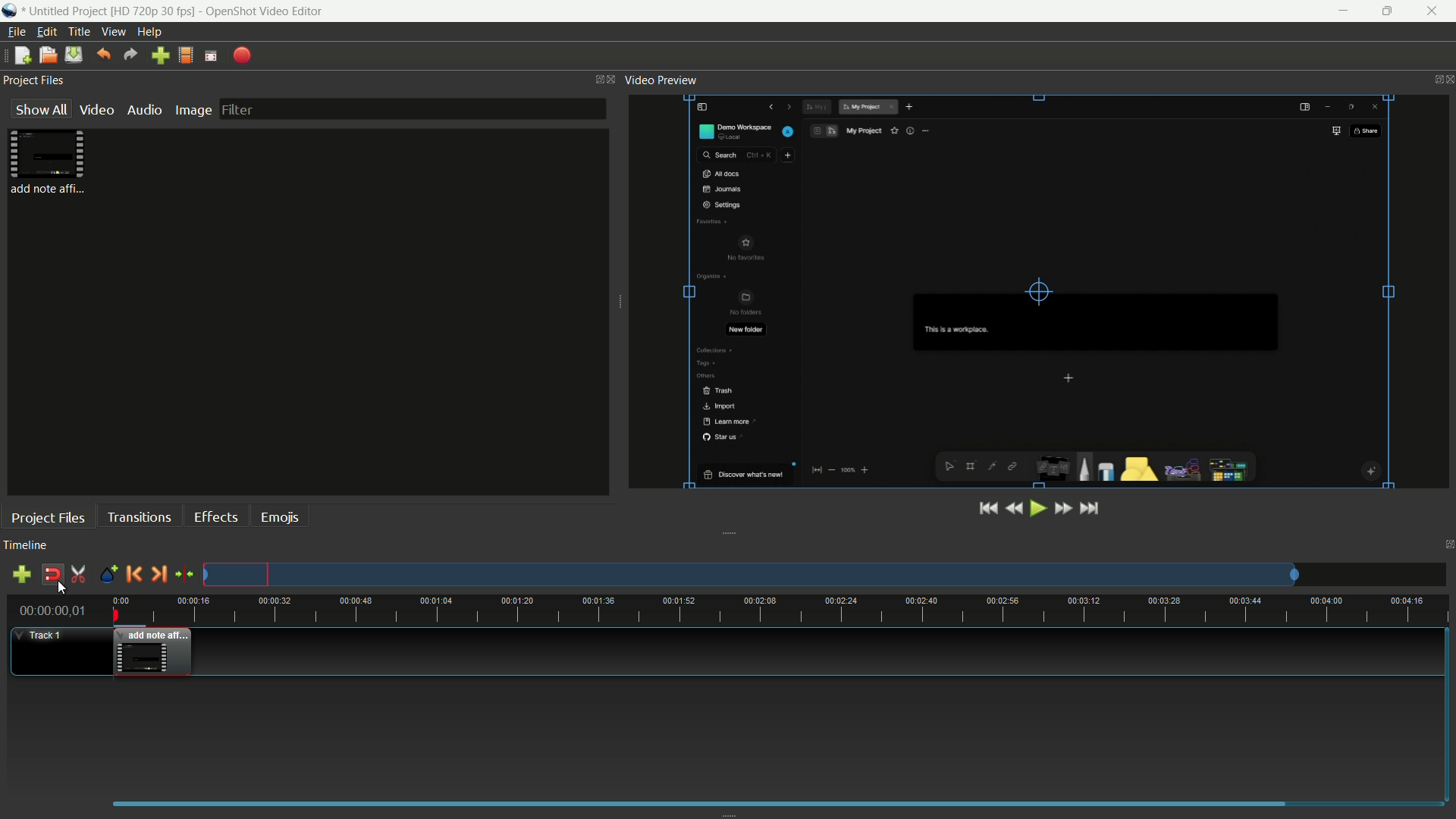 The height and width of the screenshot is (819, 1456). I want to click on next marker, so click(157, 573).